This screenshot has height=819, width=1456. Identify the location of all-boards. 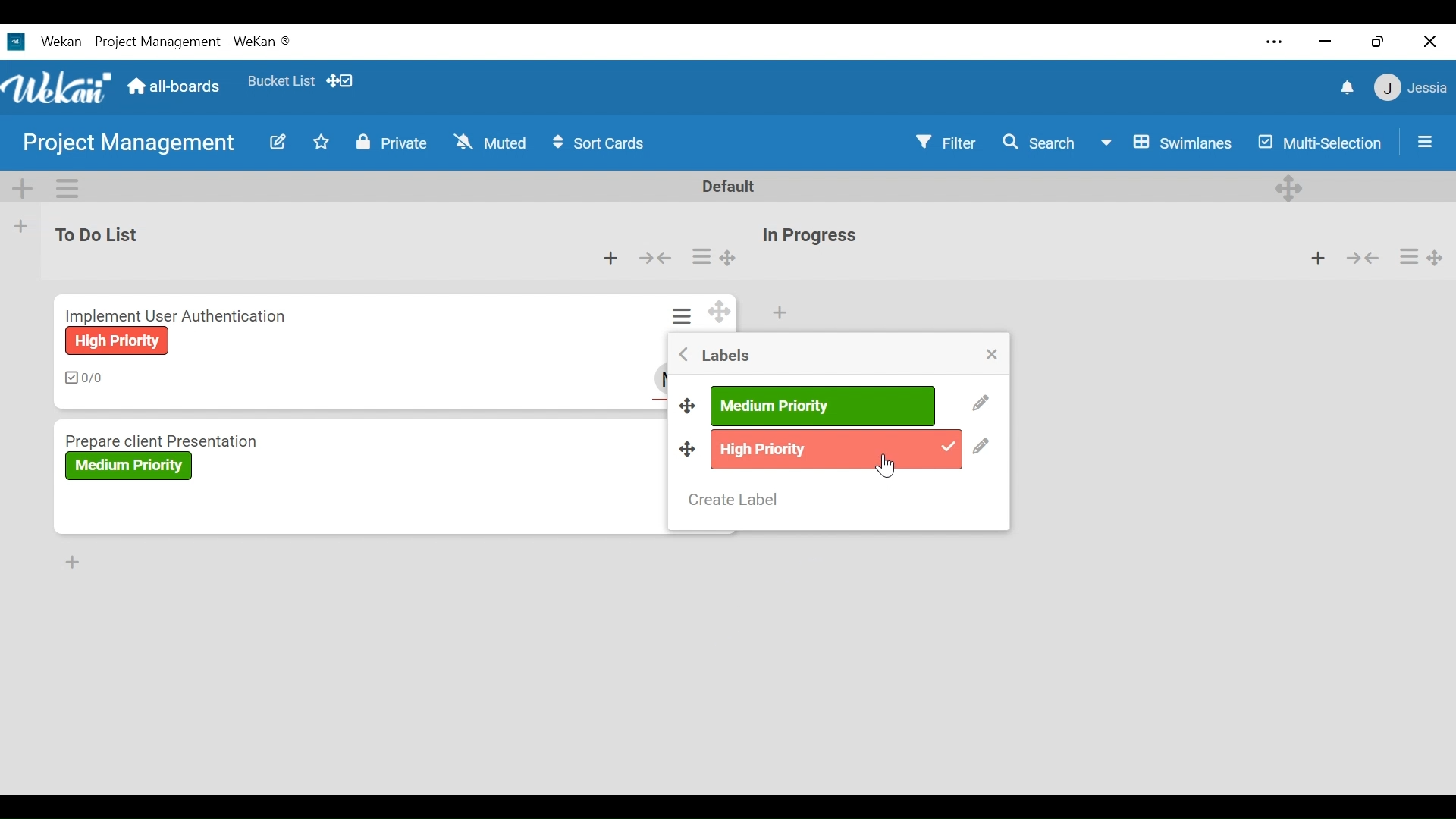
(180, 88).